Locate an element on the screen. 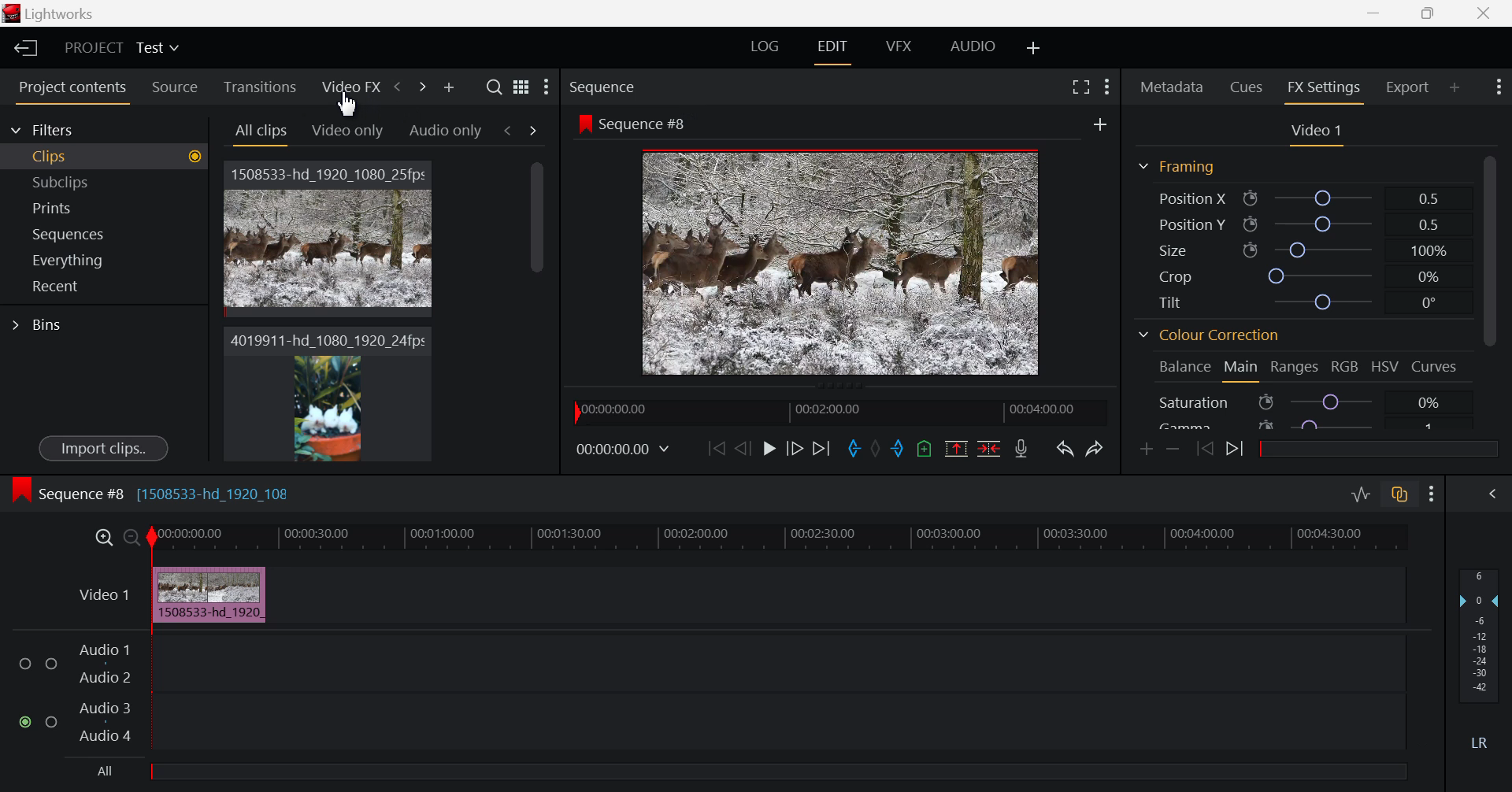 Image resolution: width=1512 pixels, height=792 pixels. Project Title is located at coordinates (121, 46).